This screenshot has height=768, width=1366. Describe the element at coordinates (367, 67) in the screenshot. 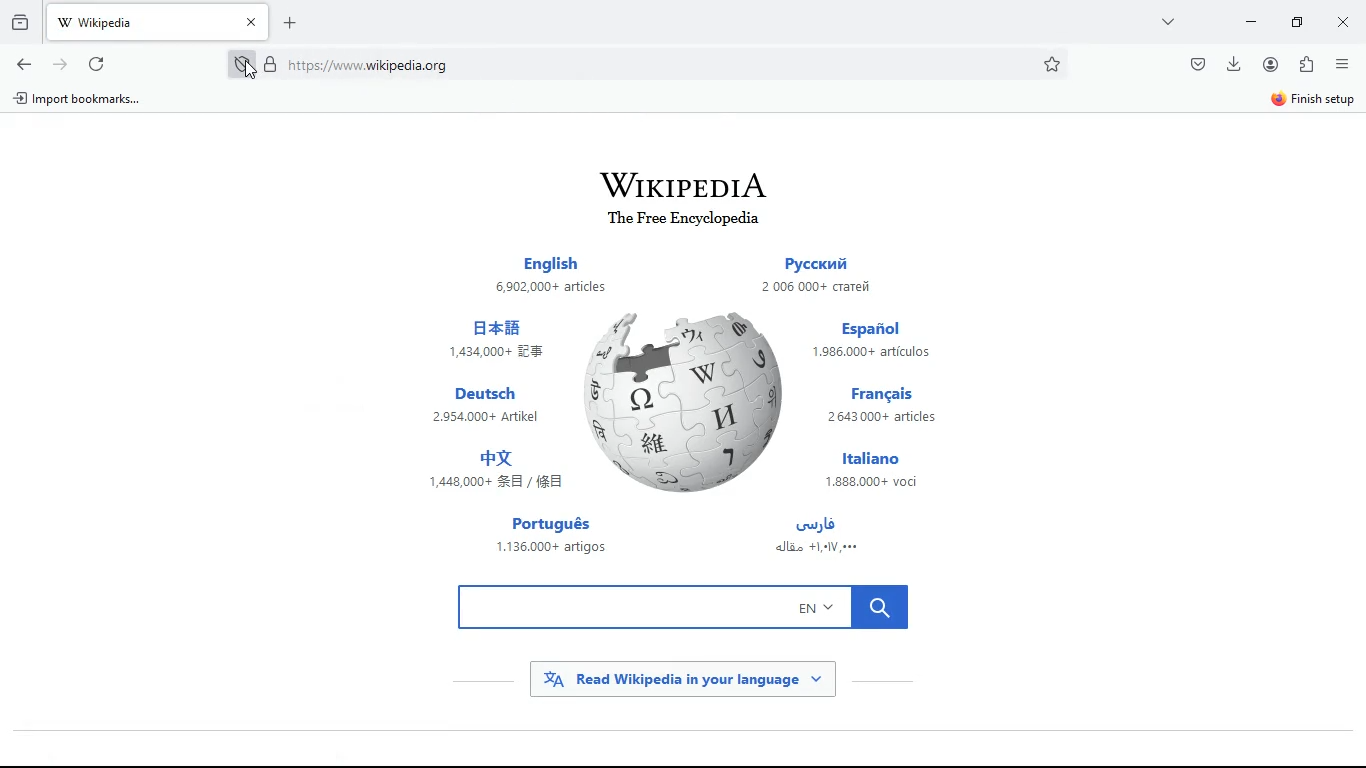

I see `\ttps:/ www. wikipedia.org` at that location.